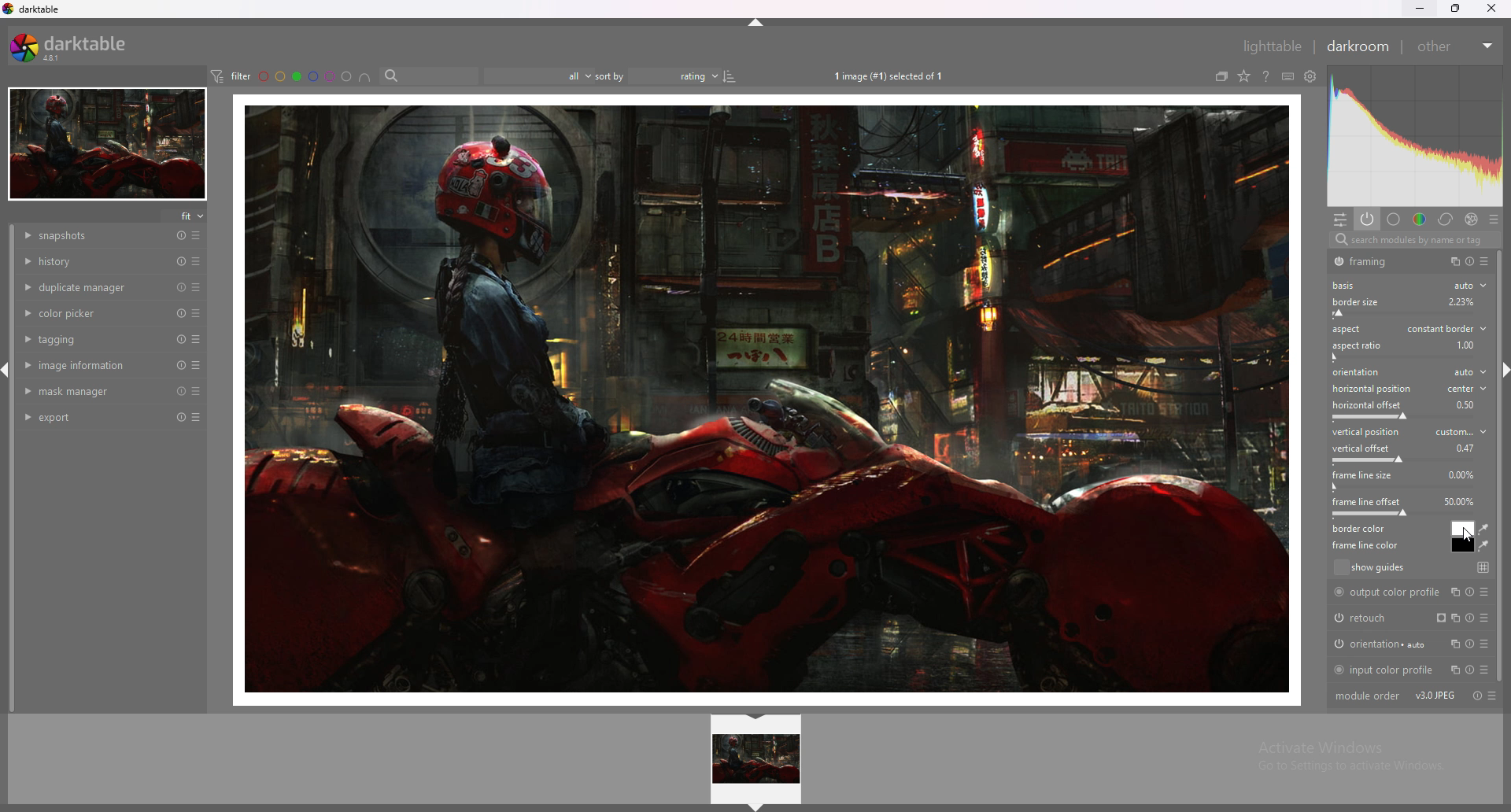  What do you see at coordinates (1462, 545) in the screenshot?
I see `frame line color` at bounding box center [1462, 545].